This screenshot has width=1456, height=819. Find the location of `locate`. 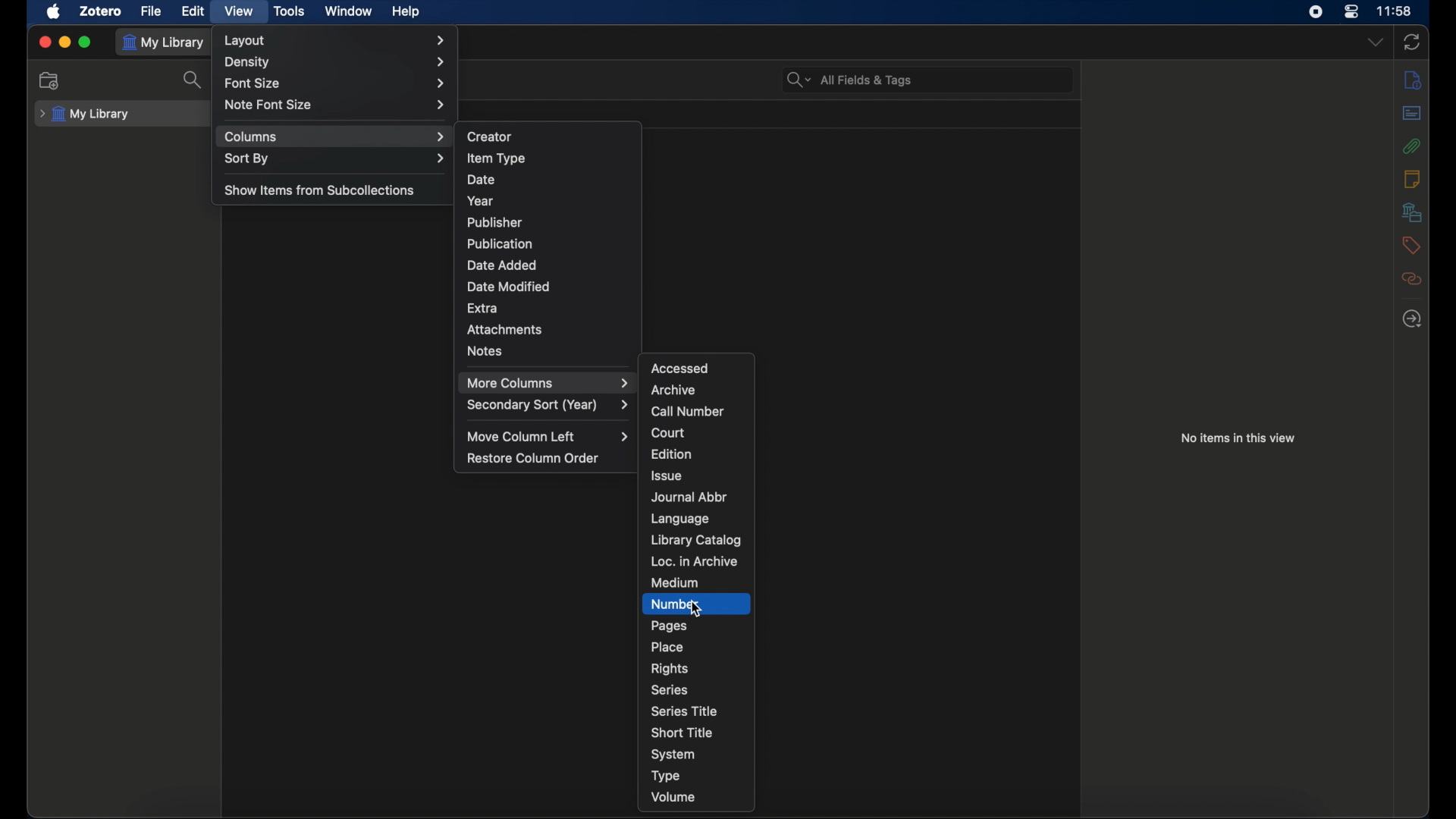

locate is located at coordinates (1411, 319).